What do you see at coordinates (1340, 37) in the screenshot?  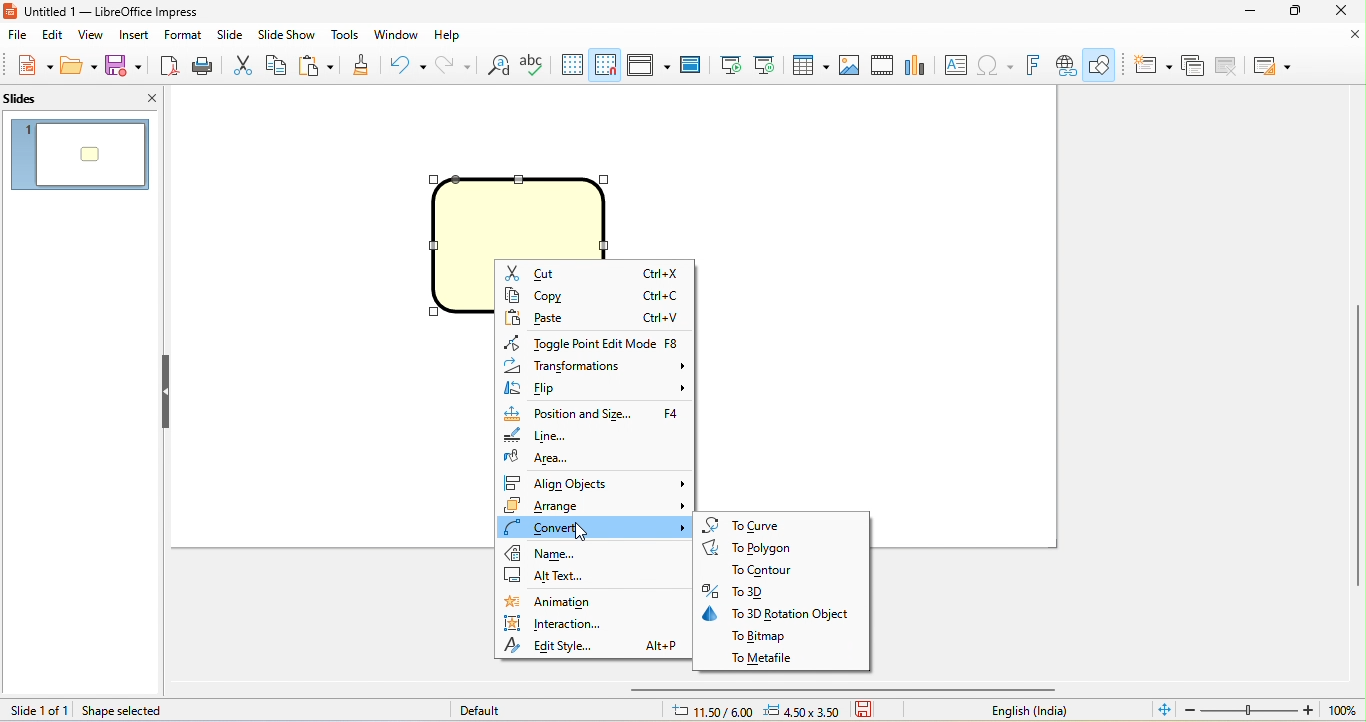 I see `close` at bounding box center [1340, 37].